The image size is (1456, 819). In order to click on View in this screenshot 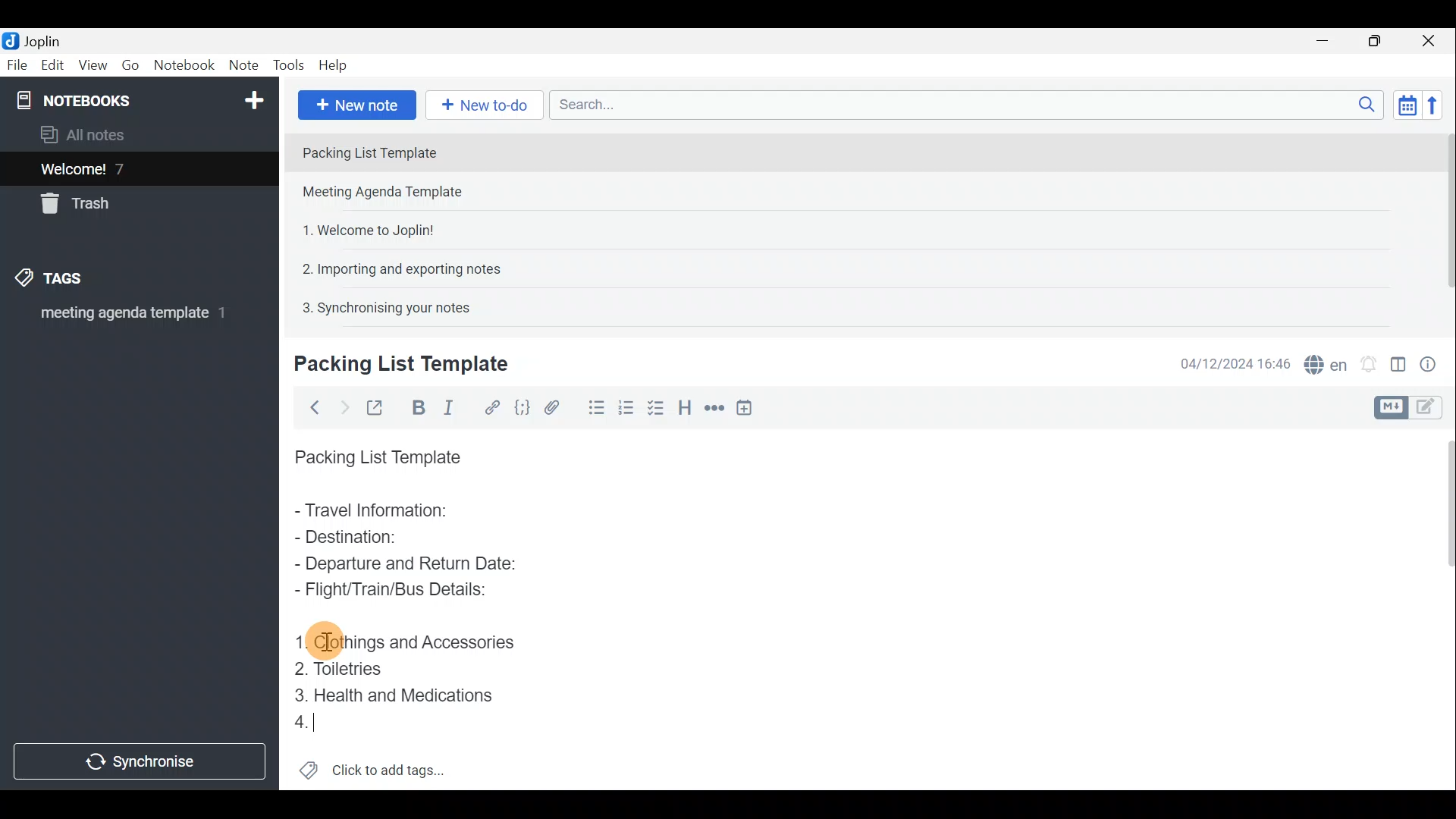, I will do `click(94, 65)`.